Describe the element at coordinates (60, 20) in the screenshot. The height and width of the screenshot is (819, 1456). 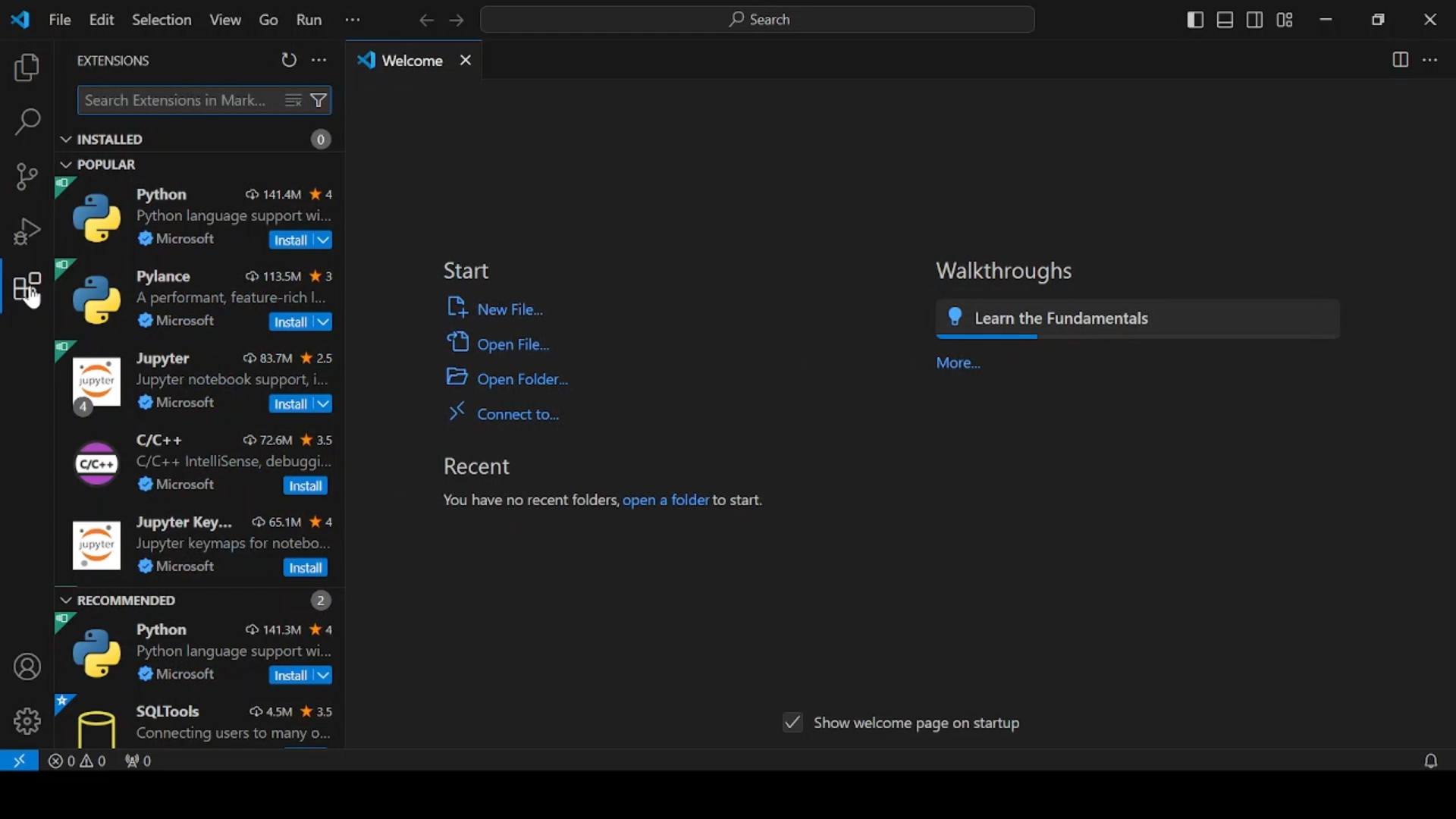
I see `file` at that location.